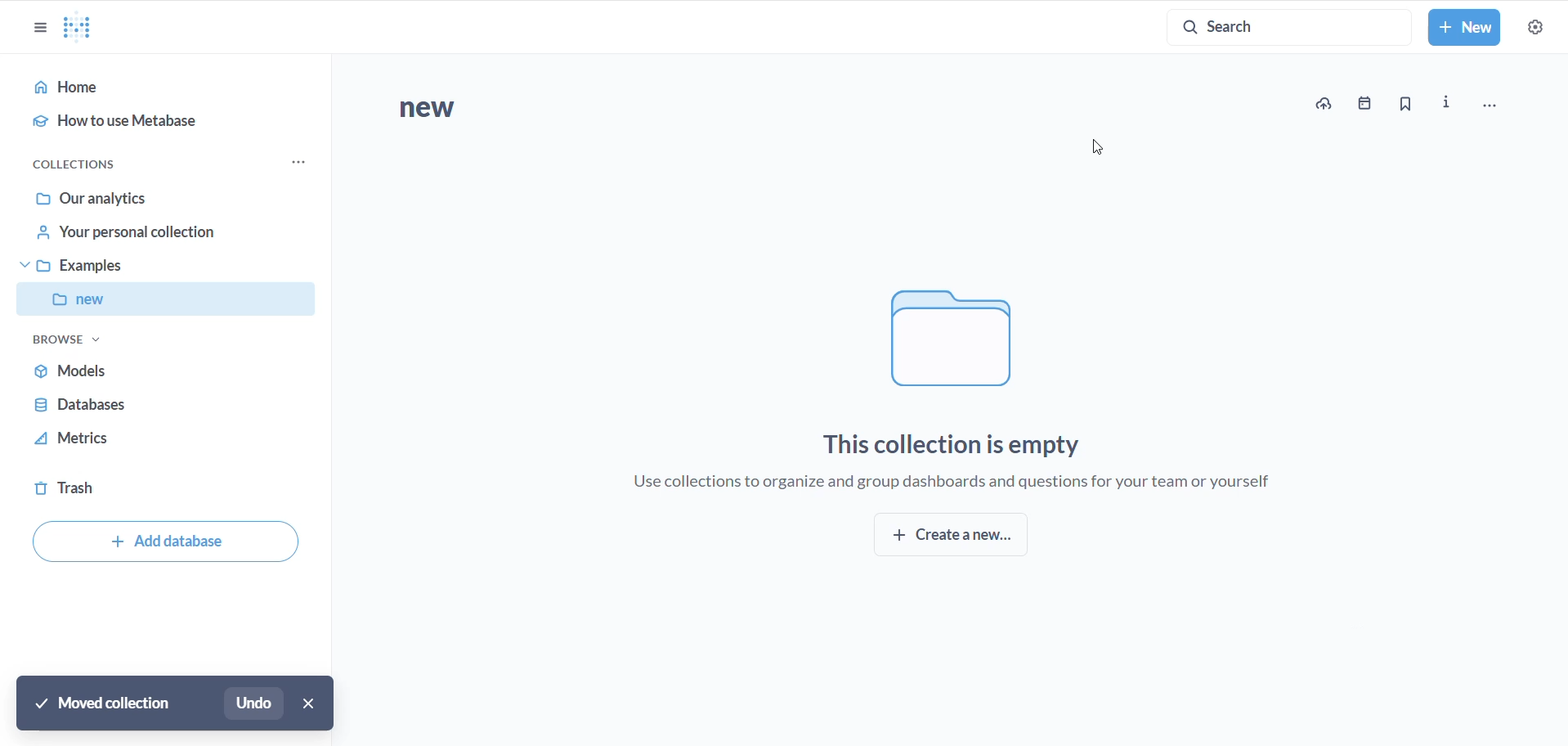 This screenshot has width=1568, height=746. What do you see at coordinates (122, 406) in the screenshot?
I see `databases` at bounding box center [122, 406].